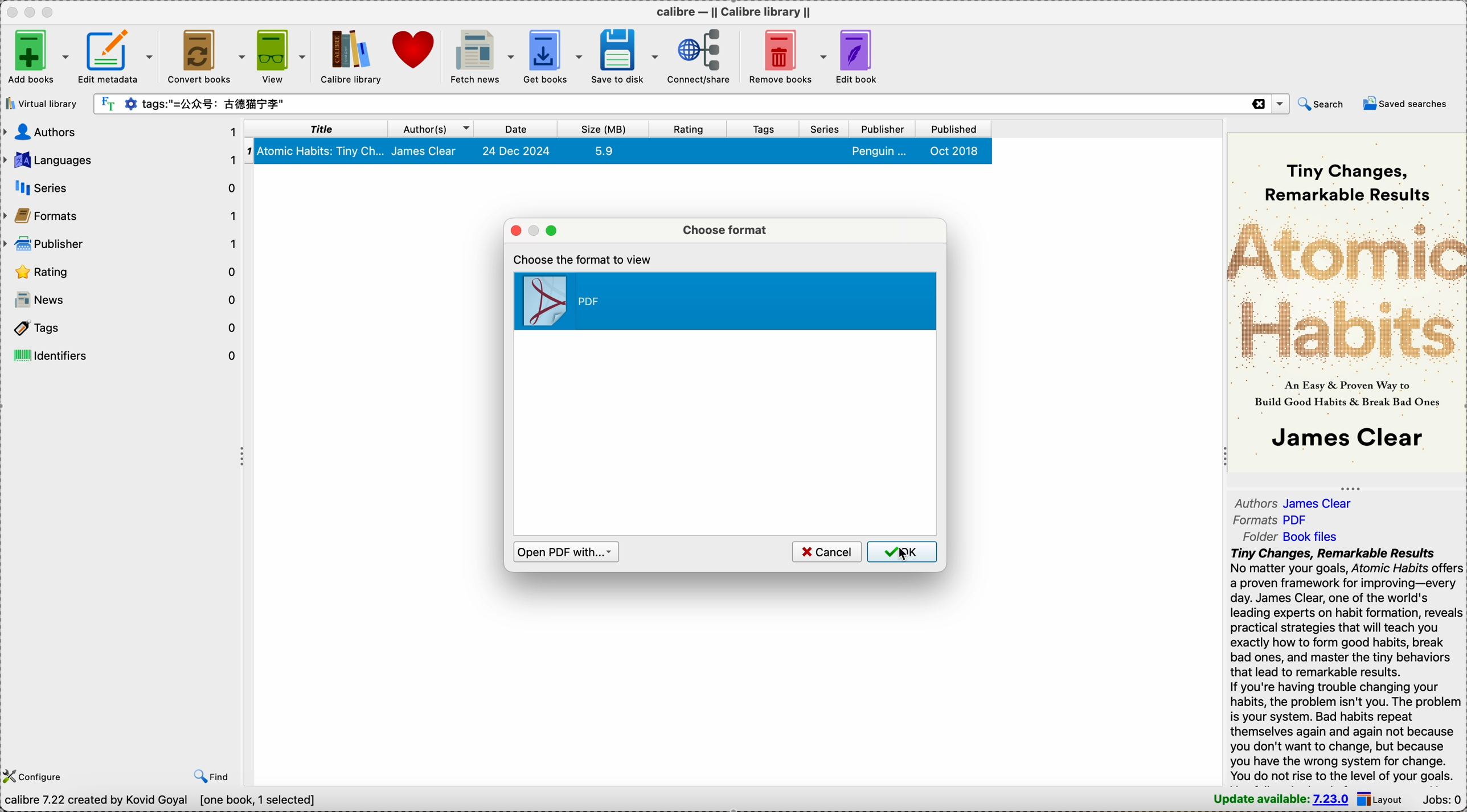  What do you see at coordinates (121, 355) in the screenshot?
I see `identifiers` at bounding box center [121, 355].